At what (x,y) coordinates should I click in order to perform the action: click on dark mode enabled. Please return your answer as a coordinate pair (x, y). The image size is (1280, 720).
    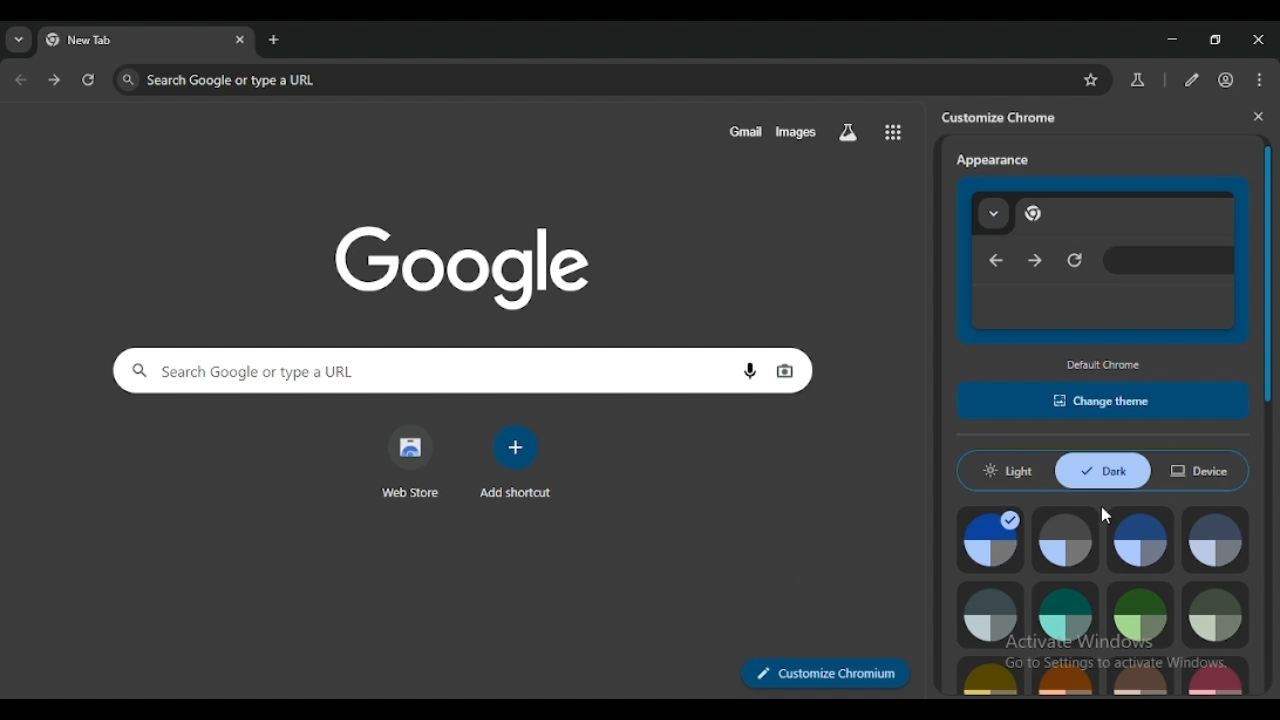
    Looking at the image, I should click on (1102, 472).